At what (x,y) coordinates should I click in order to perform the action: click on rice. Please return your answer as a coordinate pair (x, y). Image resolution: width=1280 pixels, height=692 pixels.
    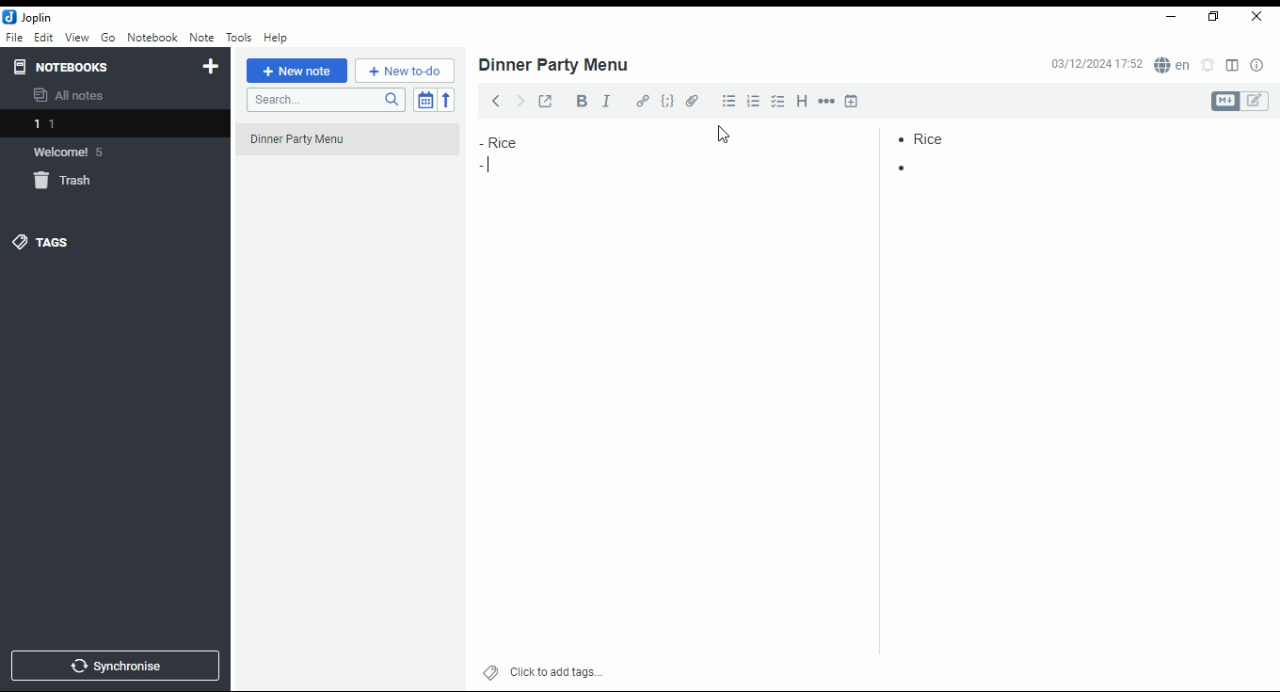
    Looking at the image, I should click on (515, 142).